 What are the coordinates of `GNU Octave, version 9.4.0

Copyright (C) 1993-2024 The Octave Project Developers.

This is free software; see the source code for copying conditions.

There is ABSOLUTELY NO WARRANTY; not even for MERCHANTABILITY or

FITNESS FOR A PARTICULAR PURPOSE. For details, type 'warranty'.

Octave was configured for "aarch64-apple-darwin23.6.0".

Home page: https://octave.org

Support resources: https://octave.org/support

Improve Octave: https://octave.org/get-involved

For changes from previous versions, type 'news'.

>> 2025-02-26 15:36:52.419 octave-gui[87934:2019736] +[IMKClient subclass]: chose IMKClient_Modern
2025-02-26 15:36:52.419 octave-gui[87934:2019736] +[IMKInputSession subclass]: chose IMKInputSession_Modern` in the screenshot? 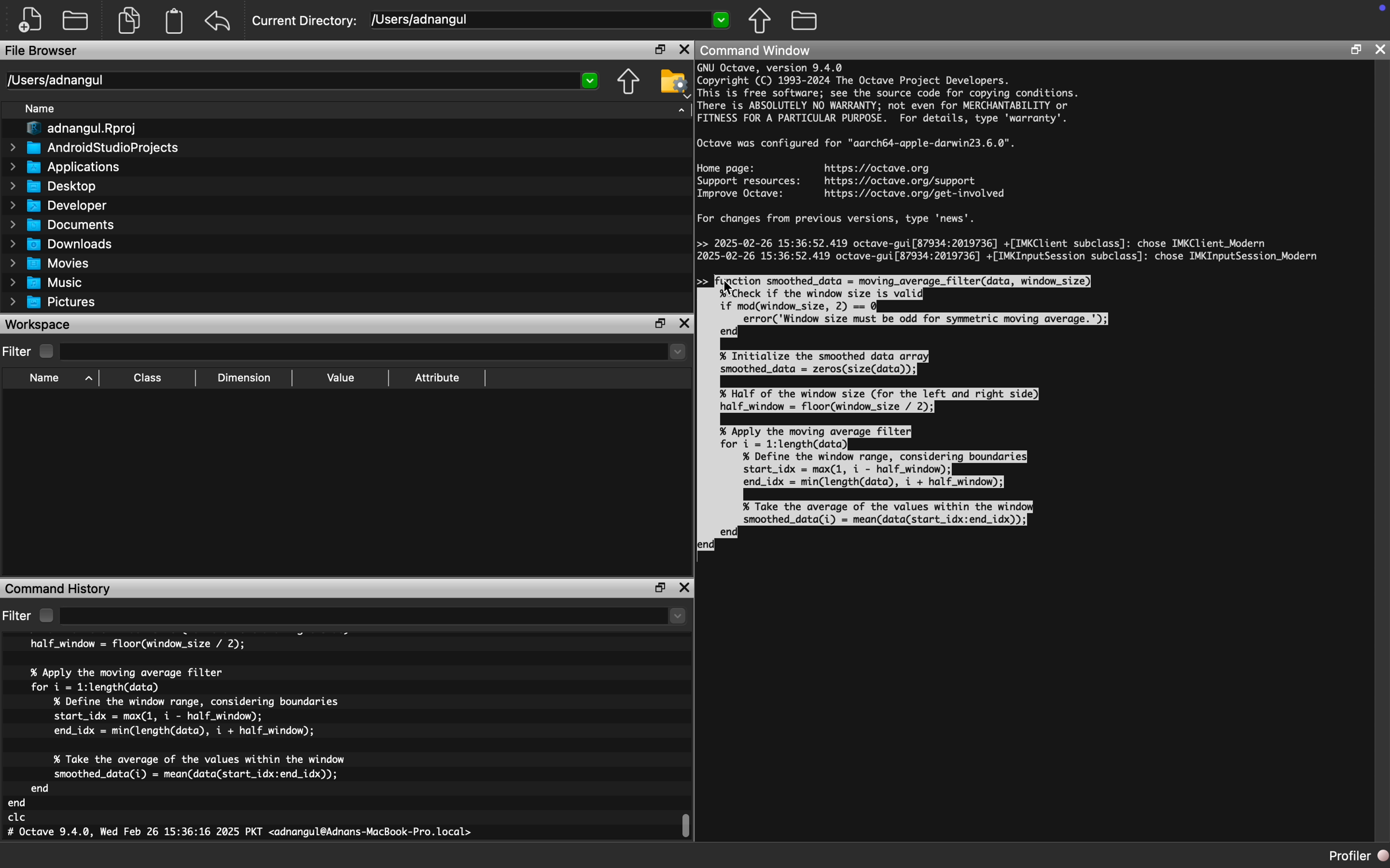 It's located at (1011, 162).